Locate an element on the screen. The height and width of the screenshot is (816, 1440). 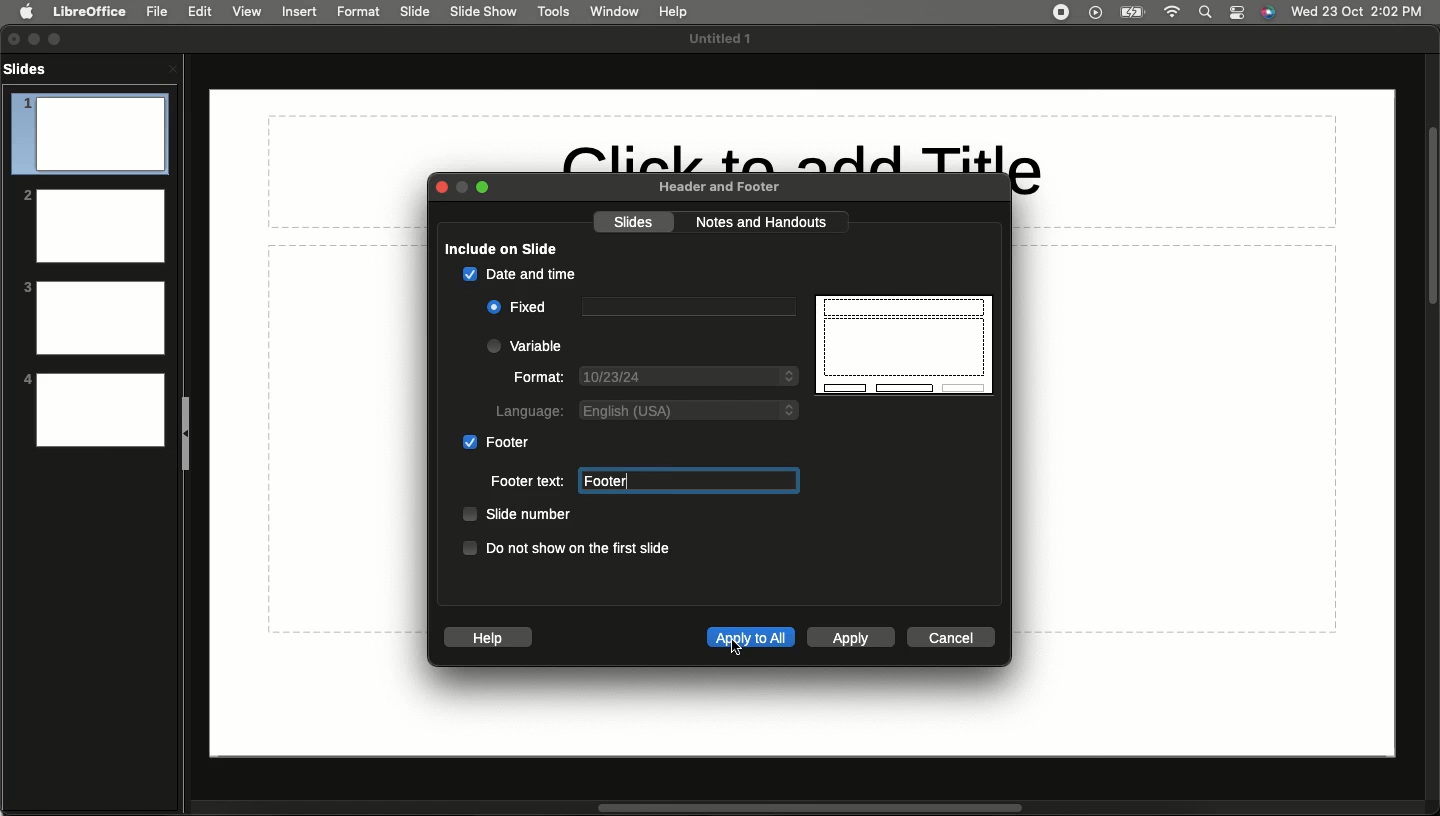
Slide number is located at coordinates (514, 515).